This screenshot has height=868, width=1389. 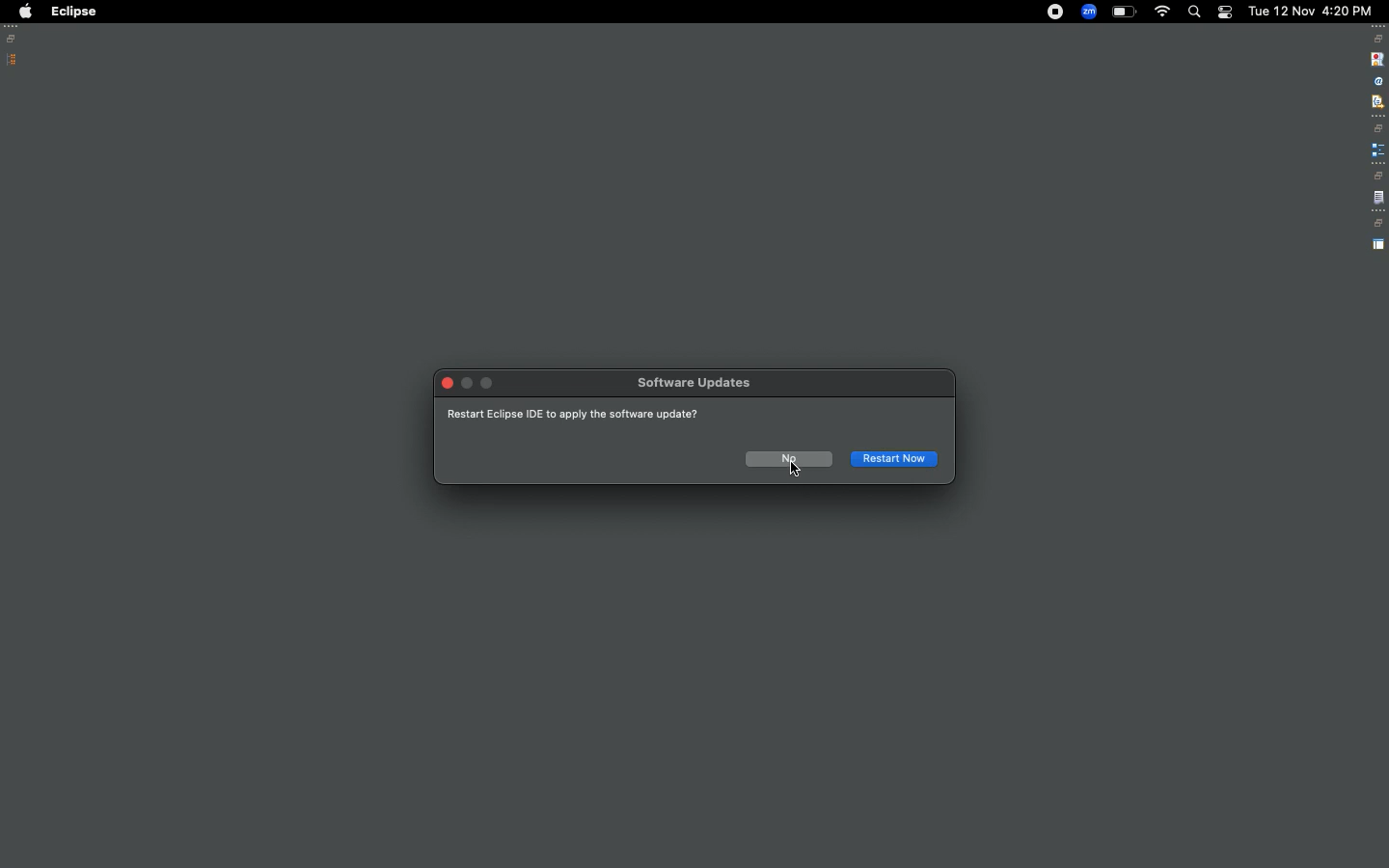 What do you see at coordinates (1377, 149) in the screenshot?
I see `extension point` at bounding box center [1377, 149].